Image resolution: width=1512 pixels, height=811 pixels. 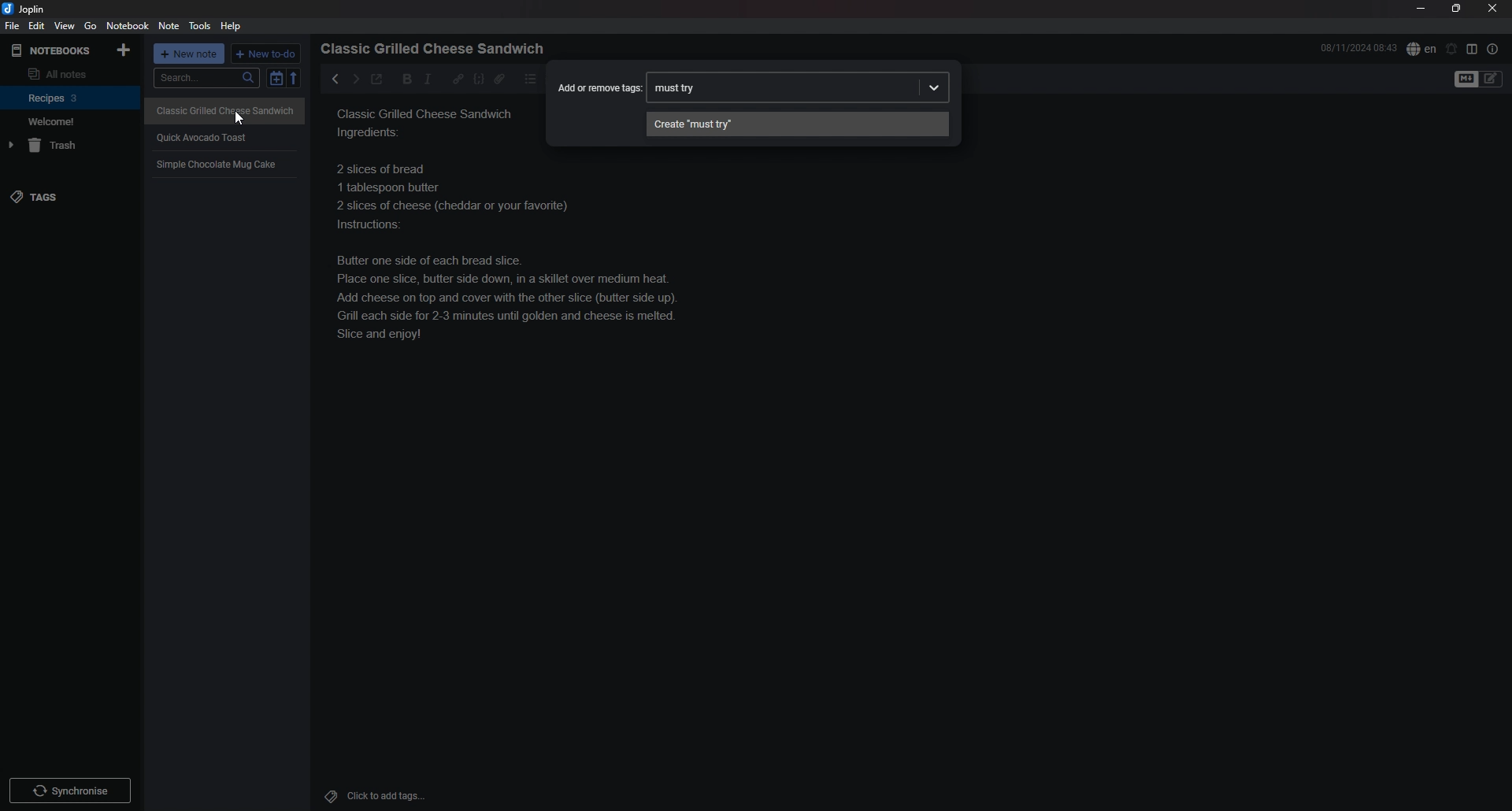 What do you see at coordinates (1452, 48) in the screenshot?
I see `set alarm` at bounding box center [1452, 48].